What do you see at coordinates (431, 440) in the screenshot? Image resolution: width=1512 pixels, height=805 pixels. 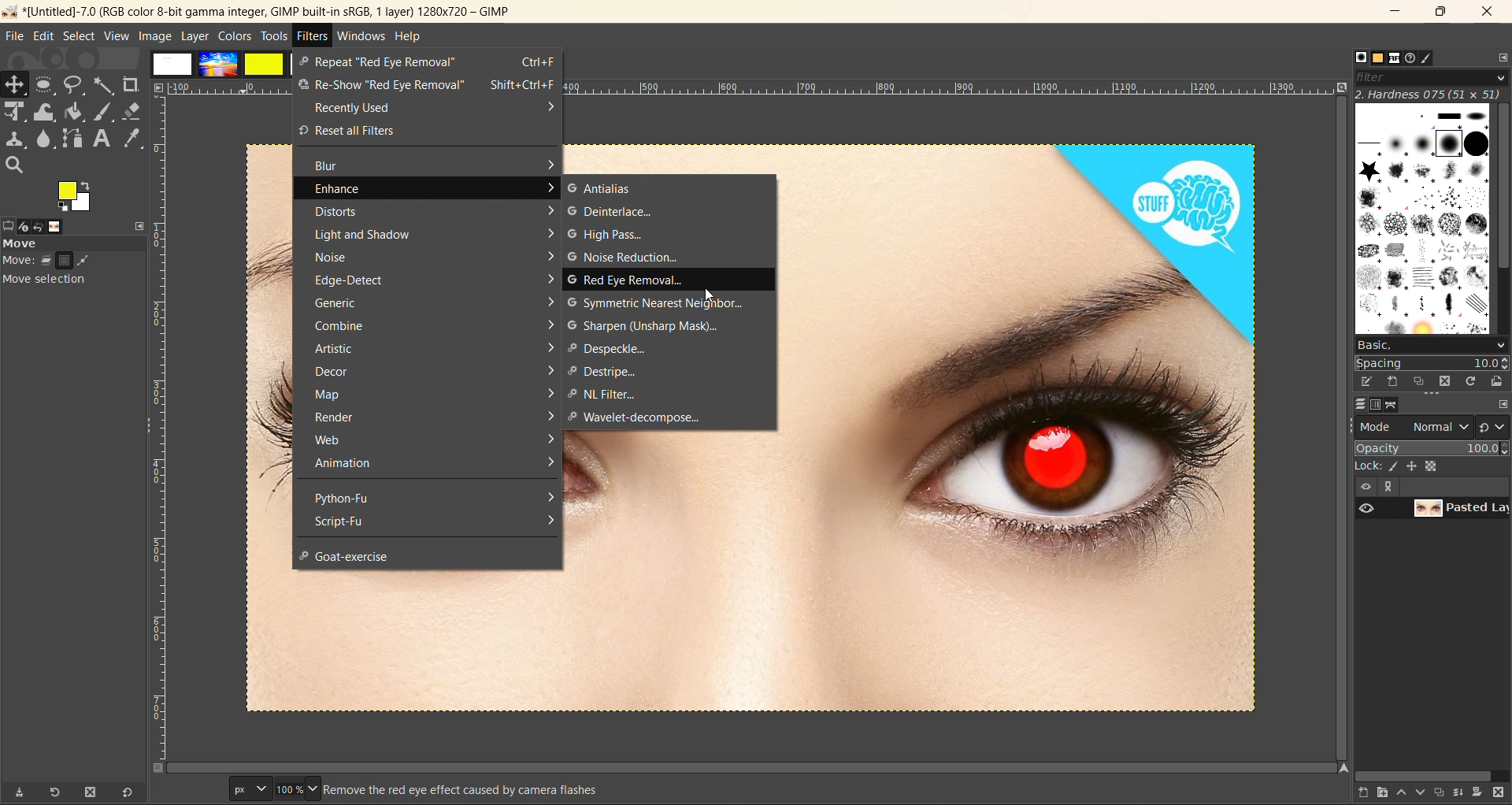 I see `web` at bounding box center [431, 440].